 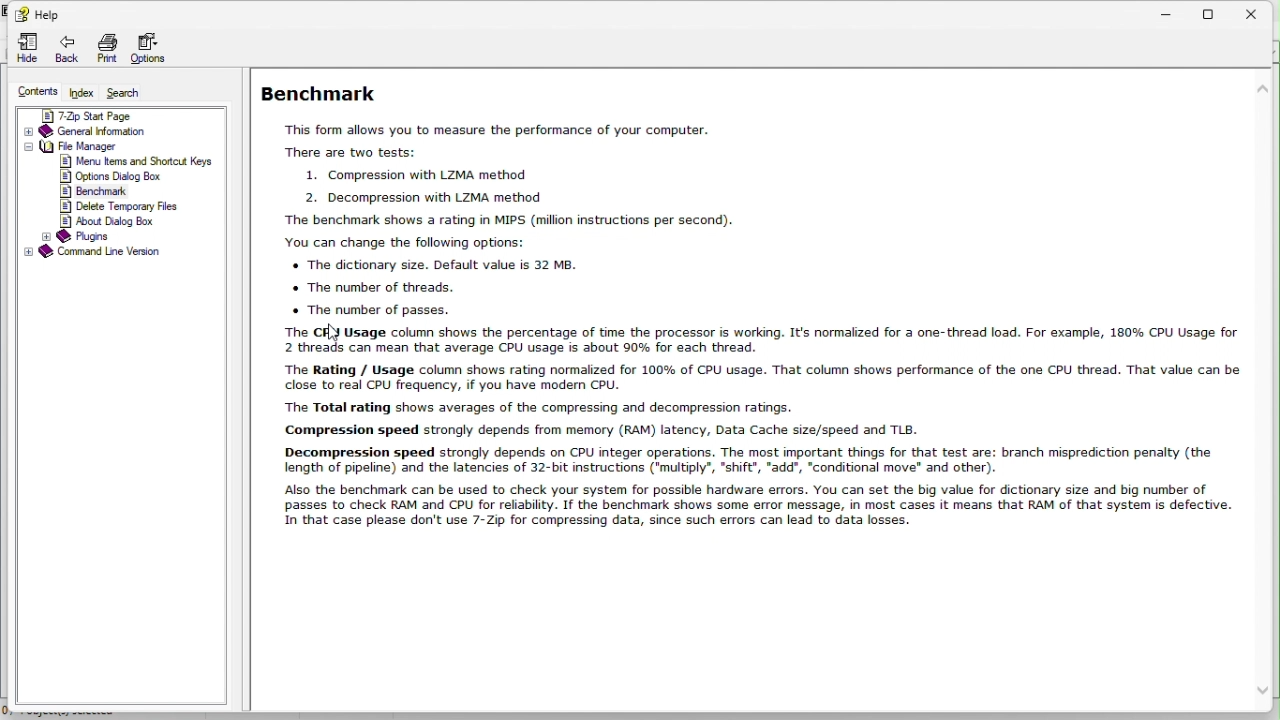 What do you see at coordinates (1164, 12) in the screenshot?
I see `Minimise` at bounding box center [1164, 12].